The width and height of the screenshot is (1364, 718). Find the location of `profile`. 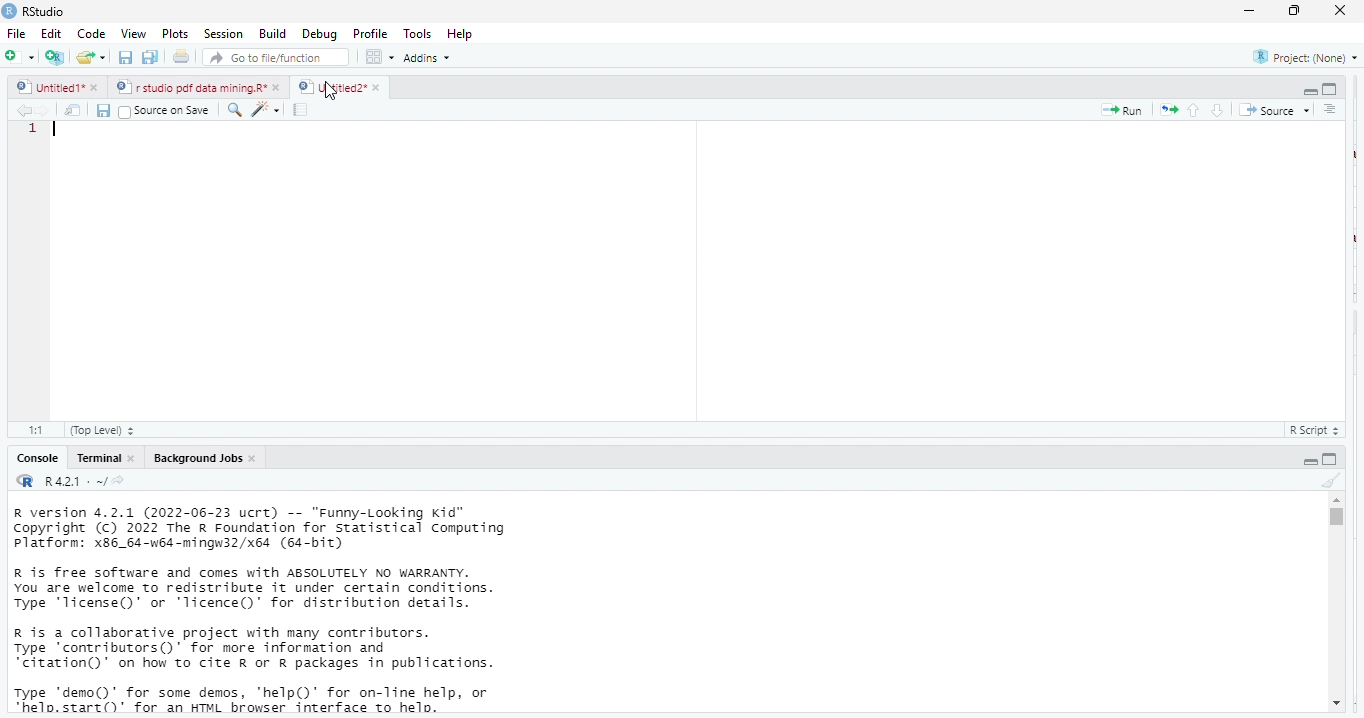

profile is located at coordinates (370, 32).